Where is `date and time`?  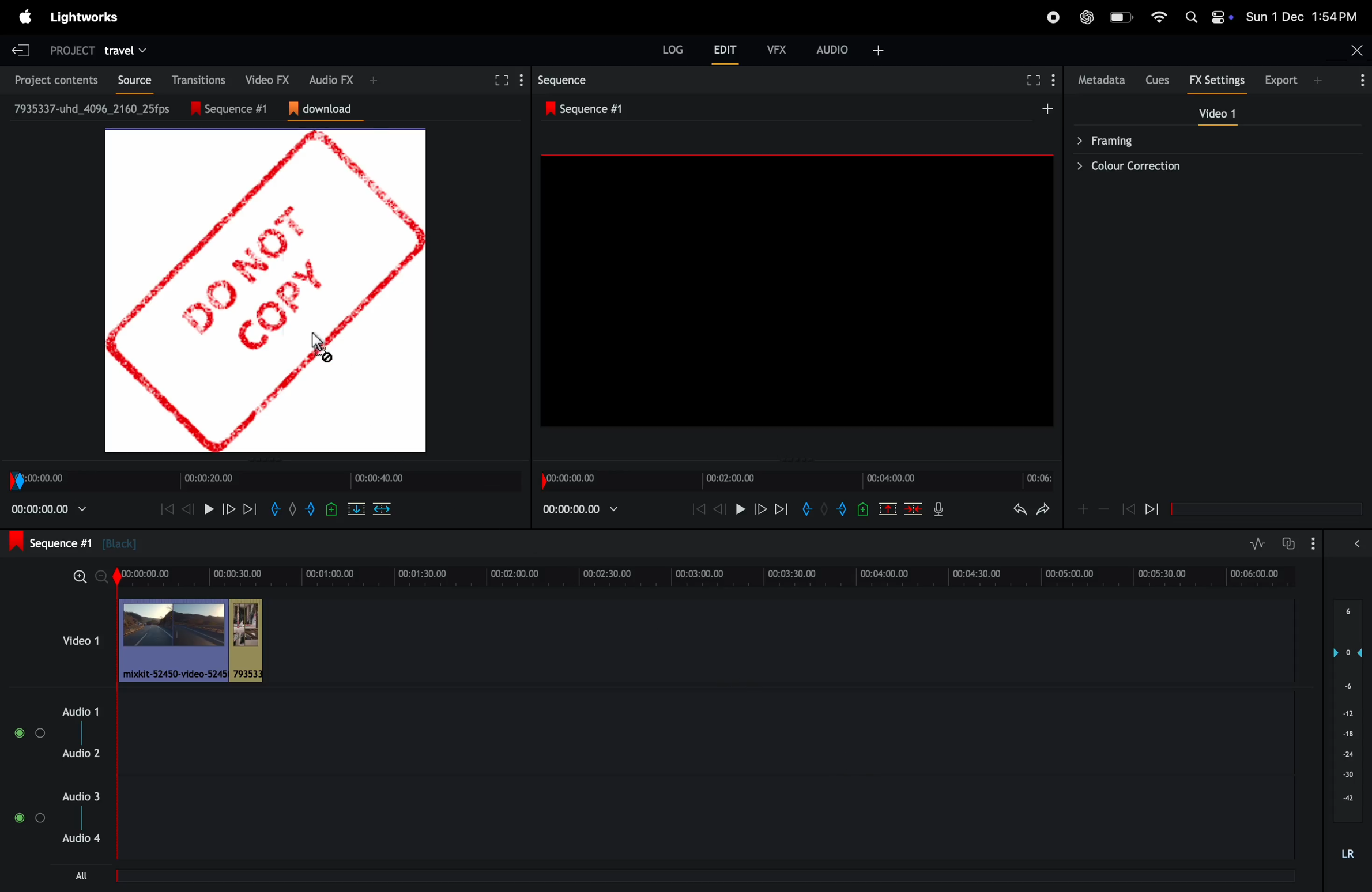 date and time is located at coordinates (1301, 16).